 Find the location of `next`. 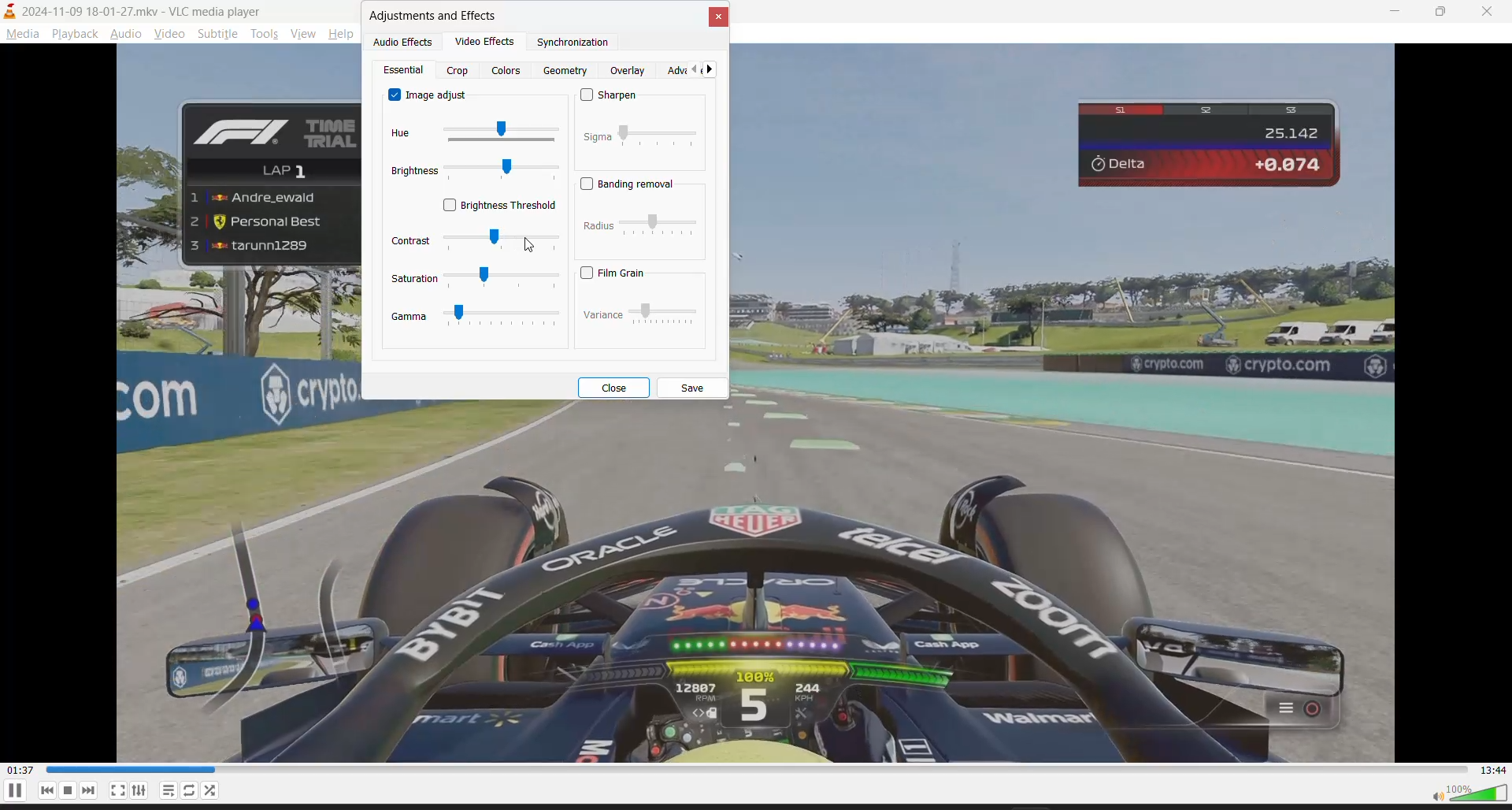

next is located at coordinates (714, 69).